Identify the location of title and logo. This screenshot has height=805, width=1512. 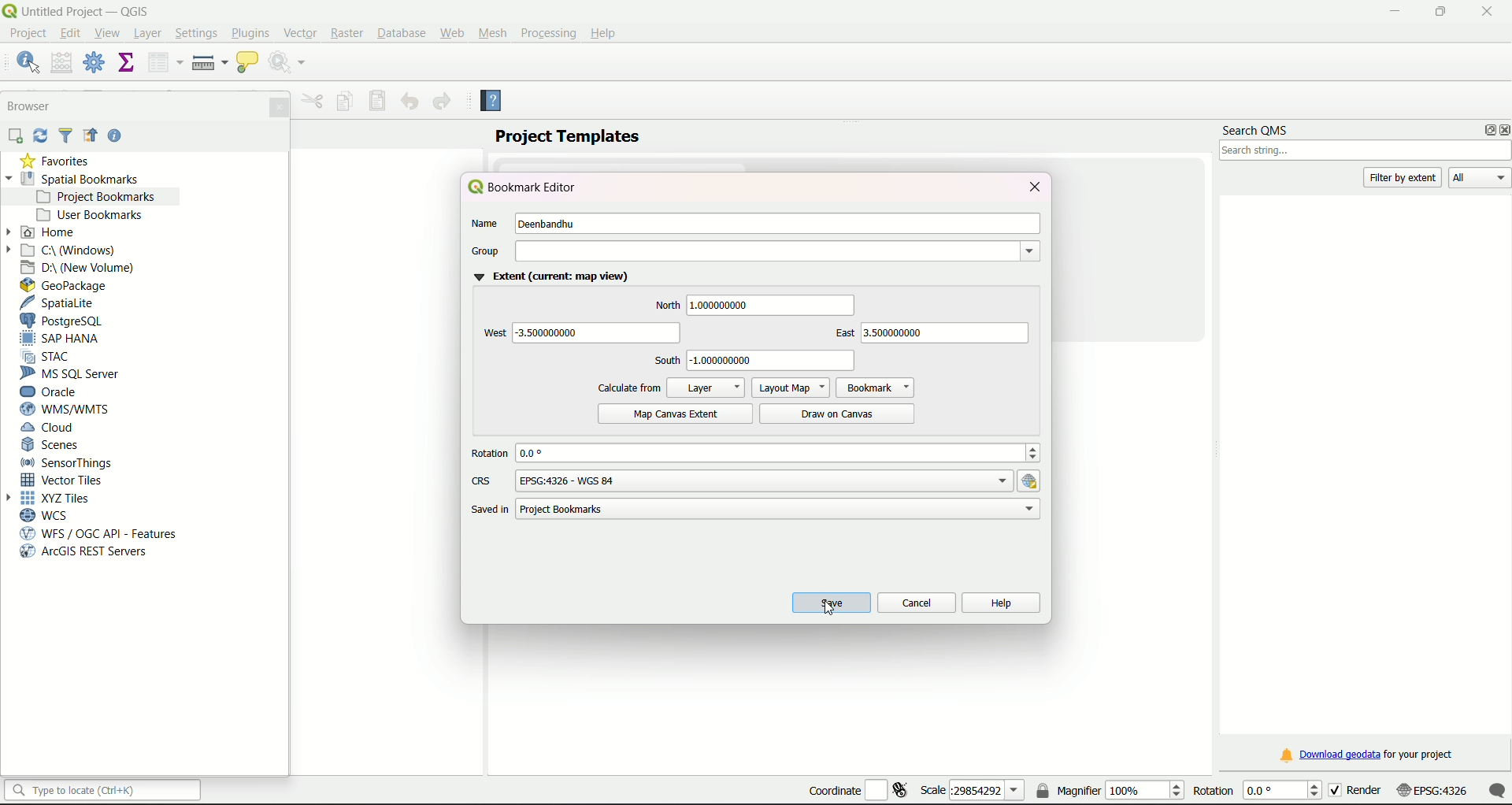
(79, 10).